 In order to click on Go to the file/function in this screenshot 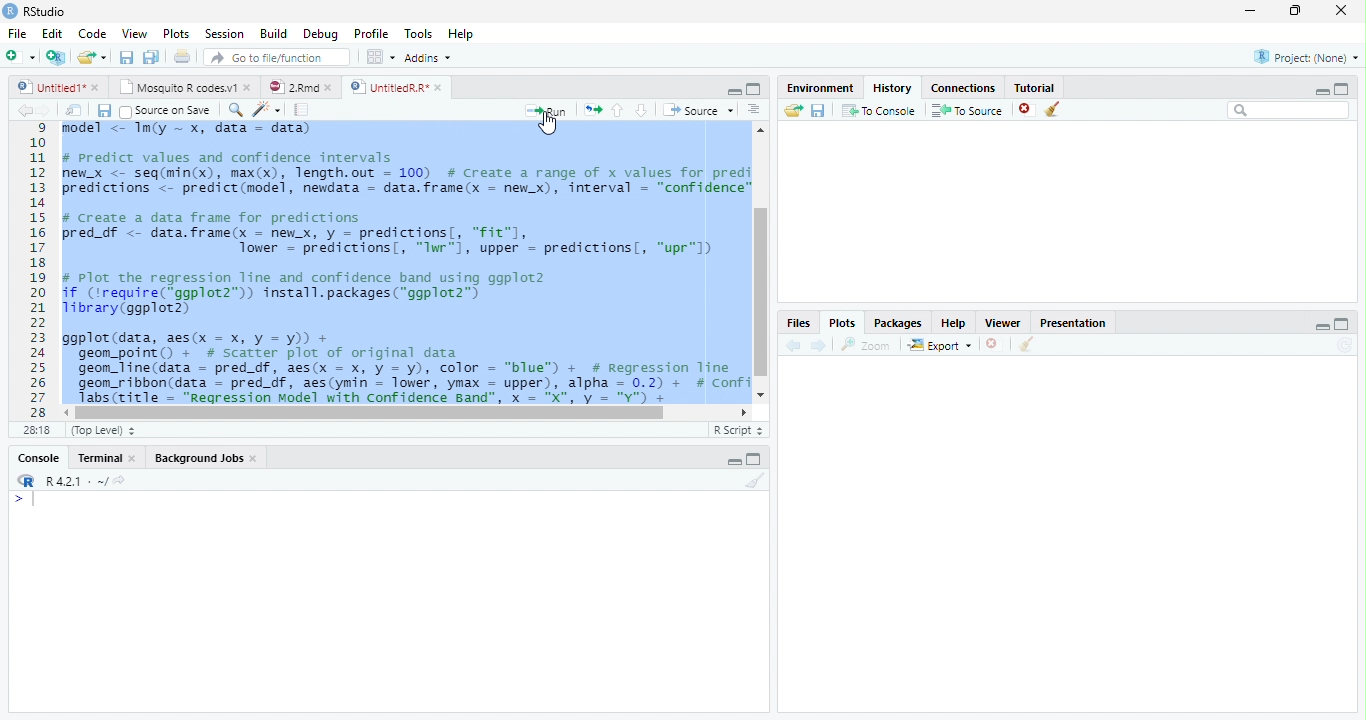, I will do `click(278, 58)`.